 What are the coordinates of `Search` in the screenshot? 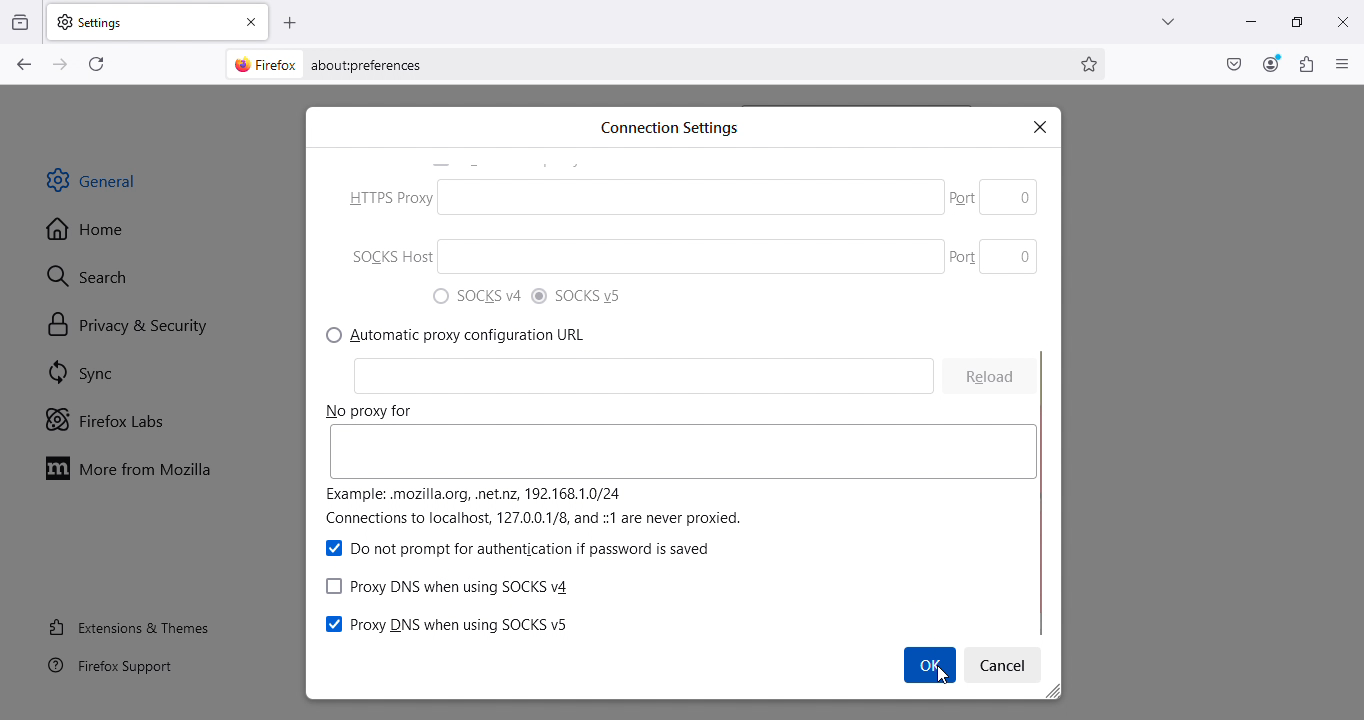 It's located at (99, 273).